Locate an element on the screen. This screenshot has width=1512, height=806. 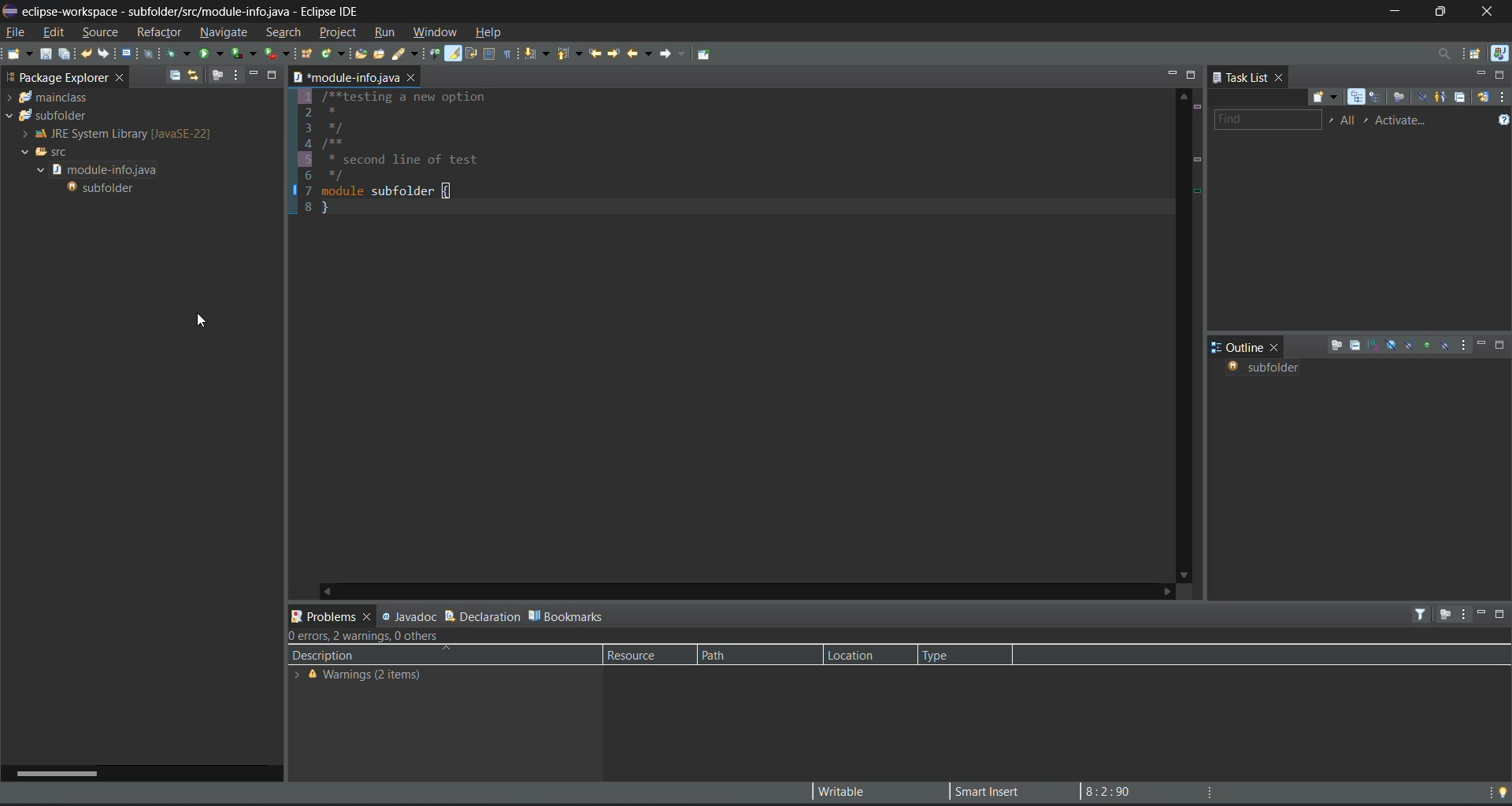
search is located at coordinates (283, 32).